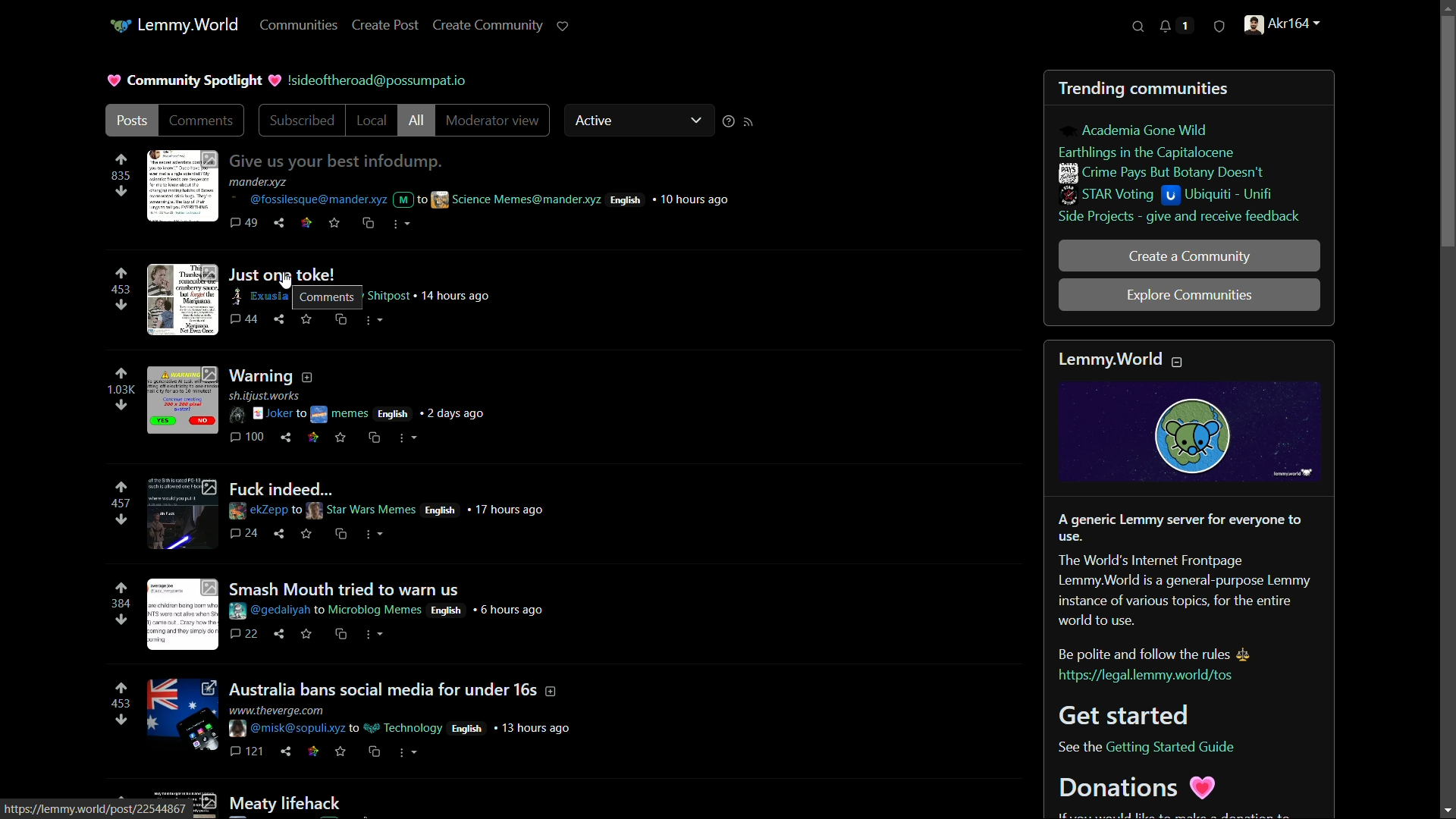 The image size is (1456, 819). I want to click on upvote, so click(125, 687).